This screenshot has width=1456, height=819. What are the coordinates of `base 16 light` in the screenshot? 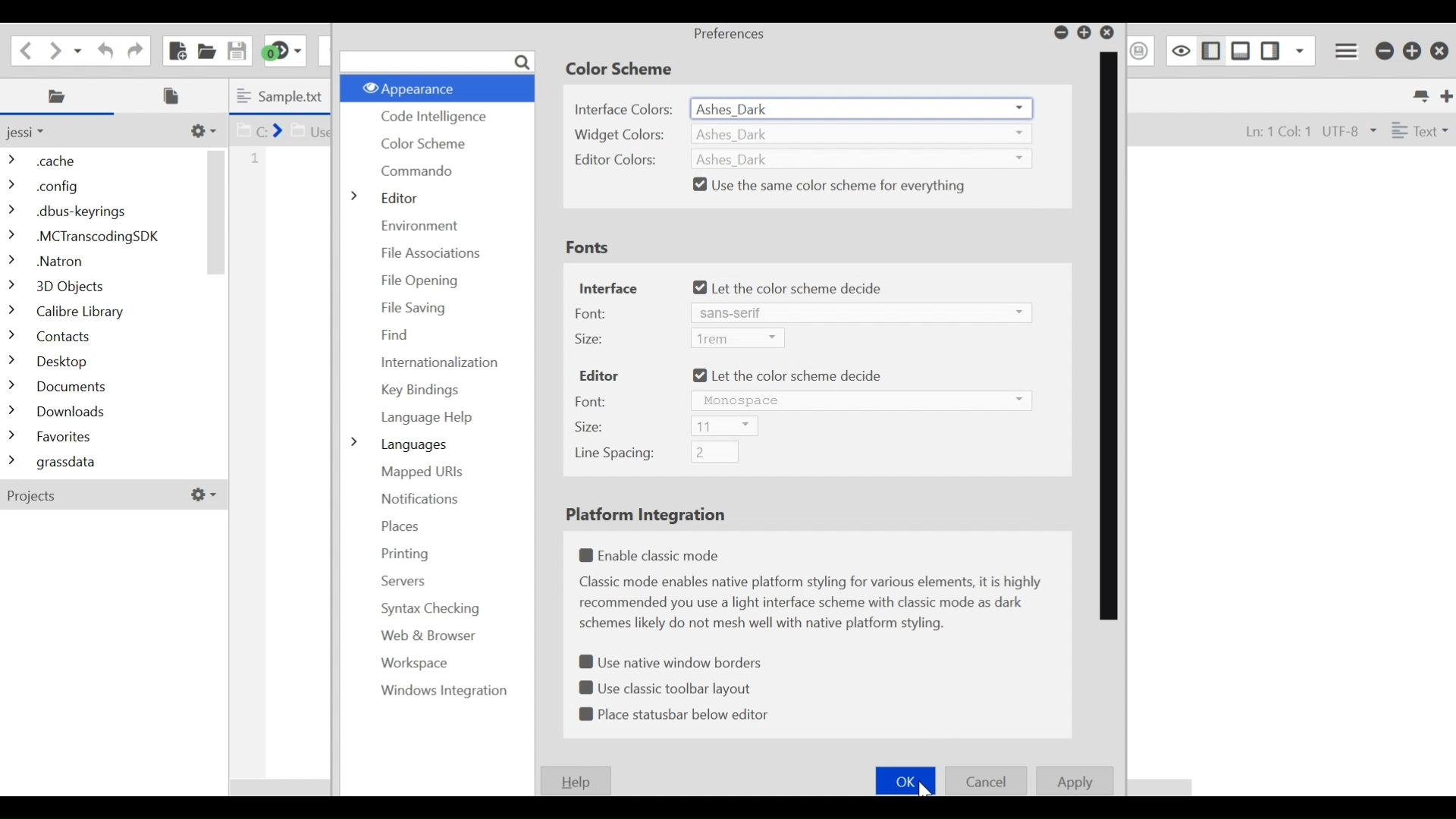 It's located at (859, 336).